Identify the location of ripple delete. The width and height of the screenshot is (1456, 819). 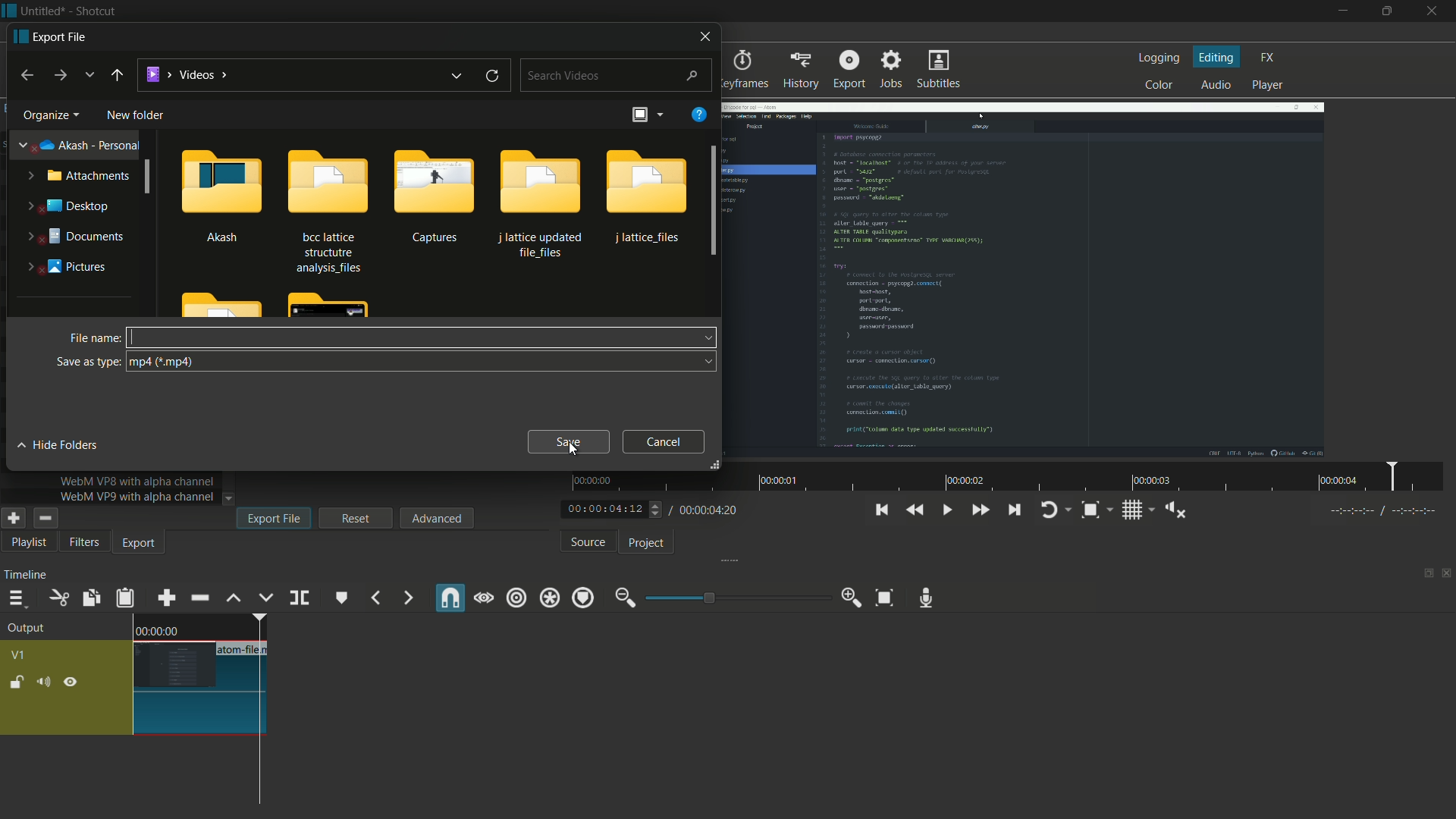
(199, 598).